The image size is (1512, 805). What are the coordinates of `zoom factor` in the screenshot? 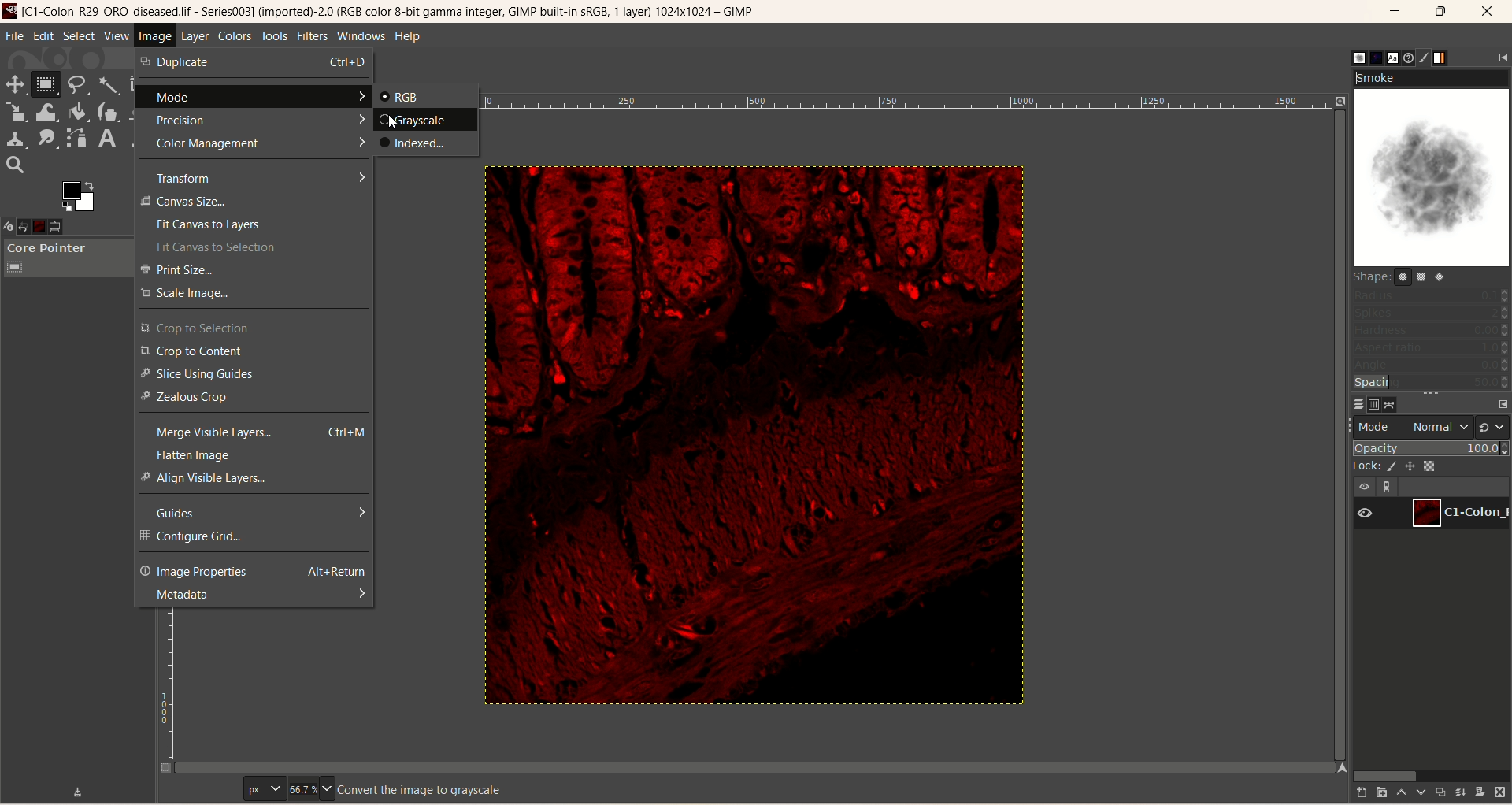 It's located at (313, 789).